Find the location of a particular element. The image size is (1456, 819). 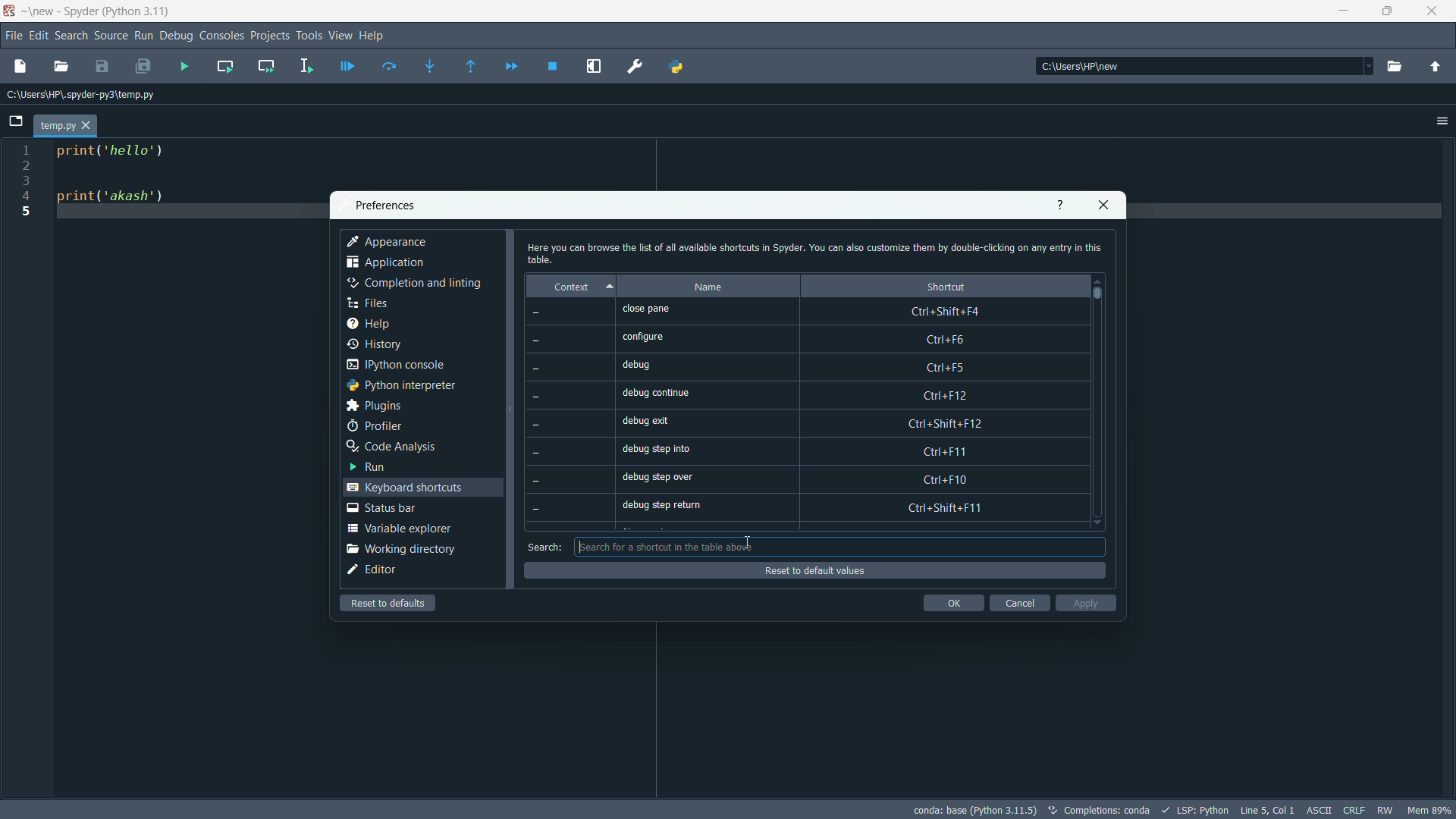

3 is located at coordinates (29, 184).